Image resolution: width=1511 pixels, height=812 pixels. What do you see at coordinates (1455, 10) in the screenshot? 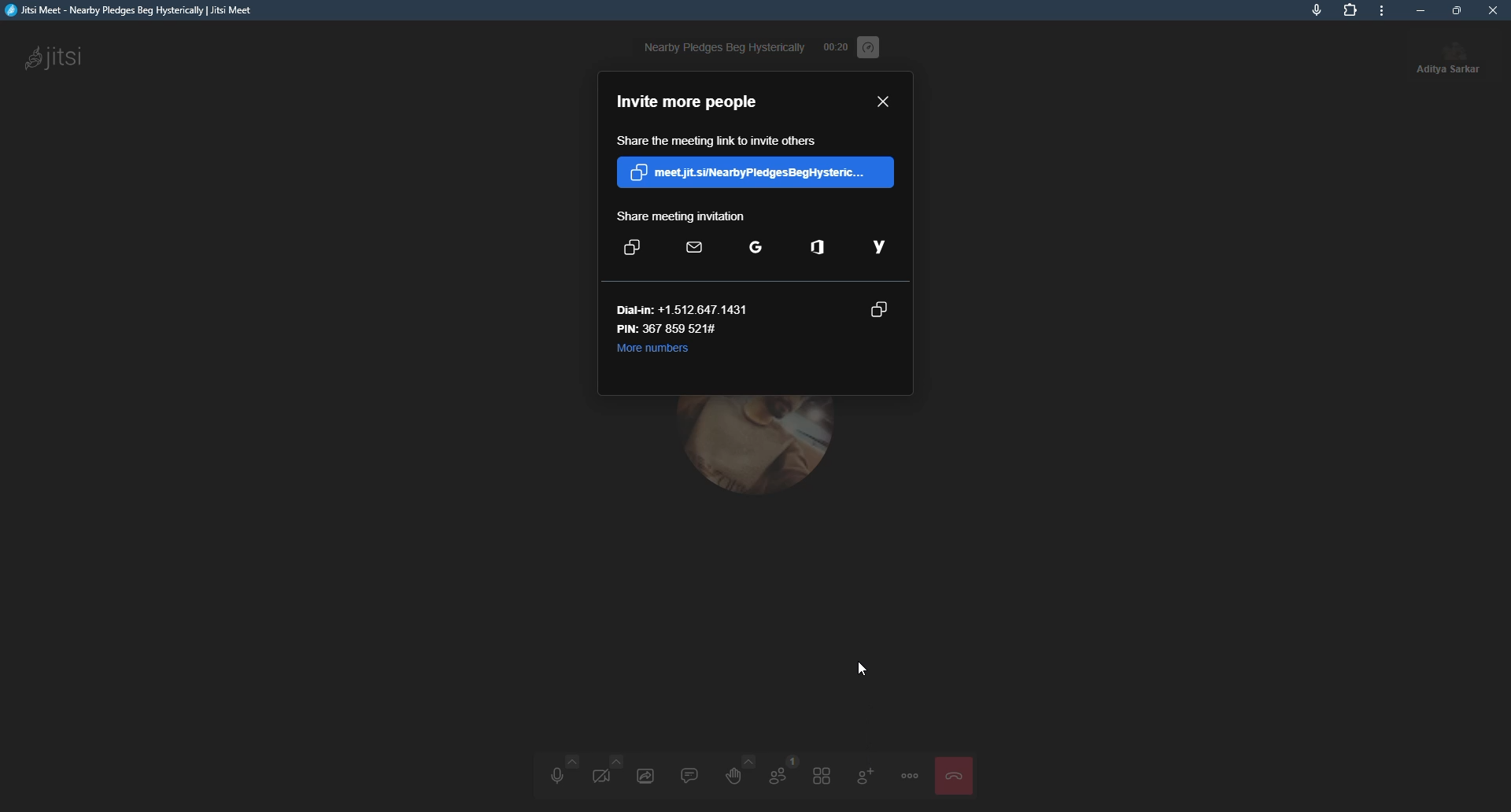
I see `maximize` at bounding box center [1455, 10].